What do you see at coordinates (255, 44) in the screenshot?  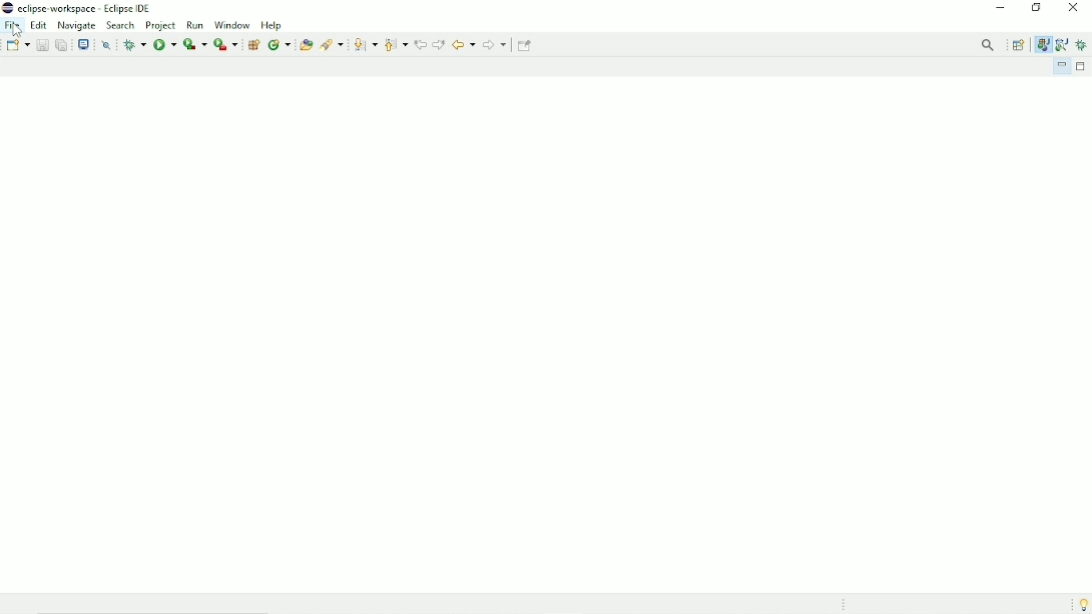 I see `New java package` at bounding box center [255, 44].